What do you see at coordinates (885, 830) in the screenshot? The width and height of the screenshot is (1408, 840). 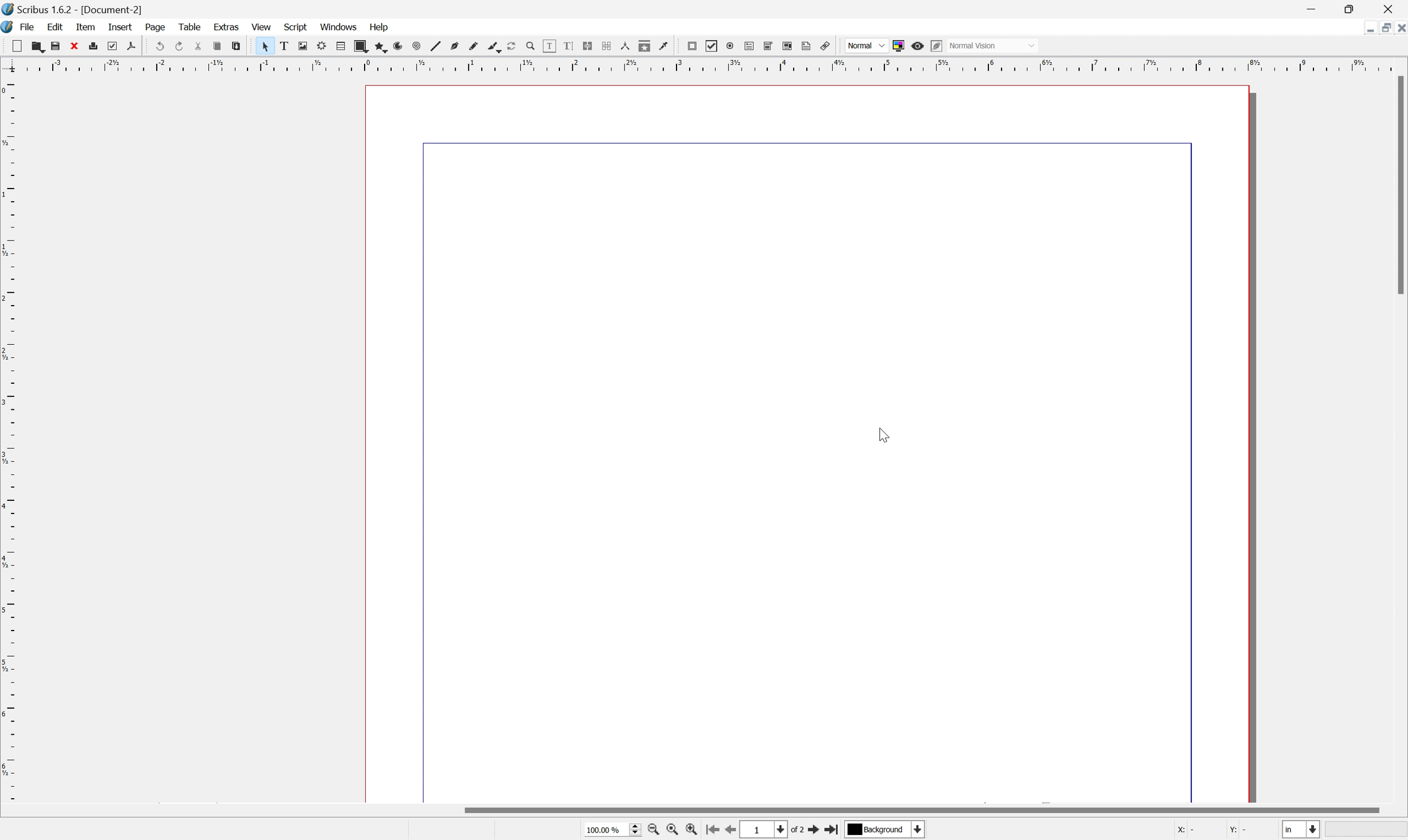 I see `Background` at bounding box center [885, 830].